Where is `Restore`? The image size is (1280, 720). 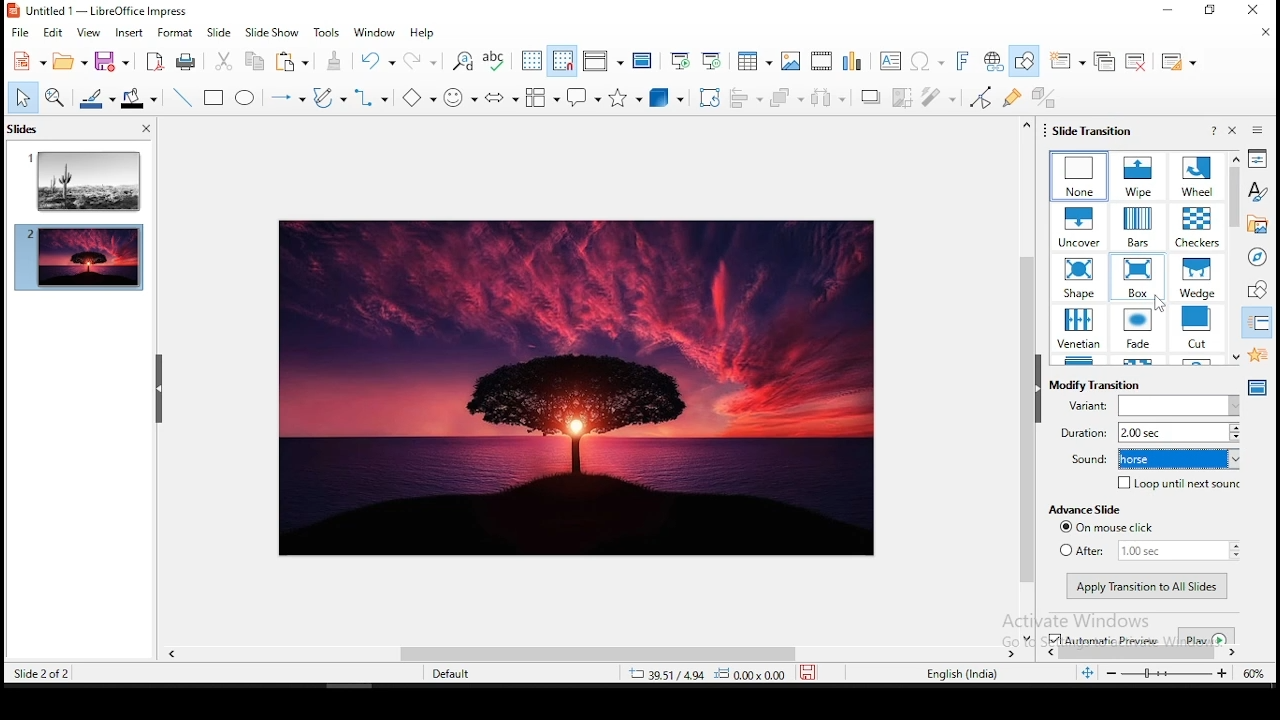 Restore is located at coordinates (1207, 10).